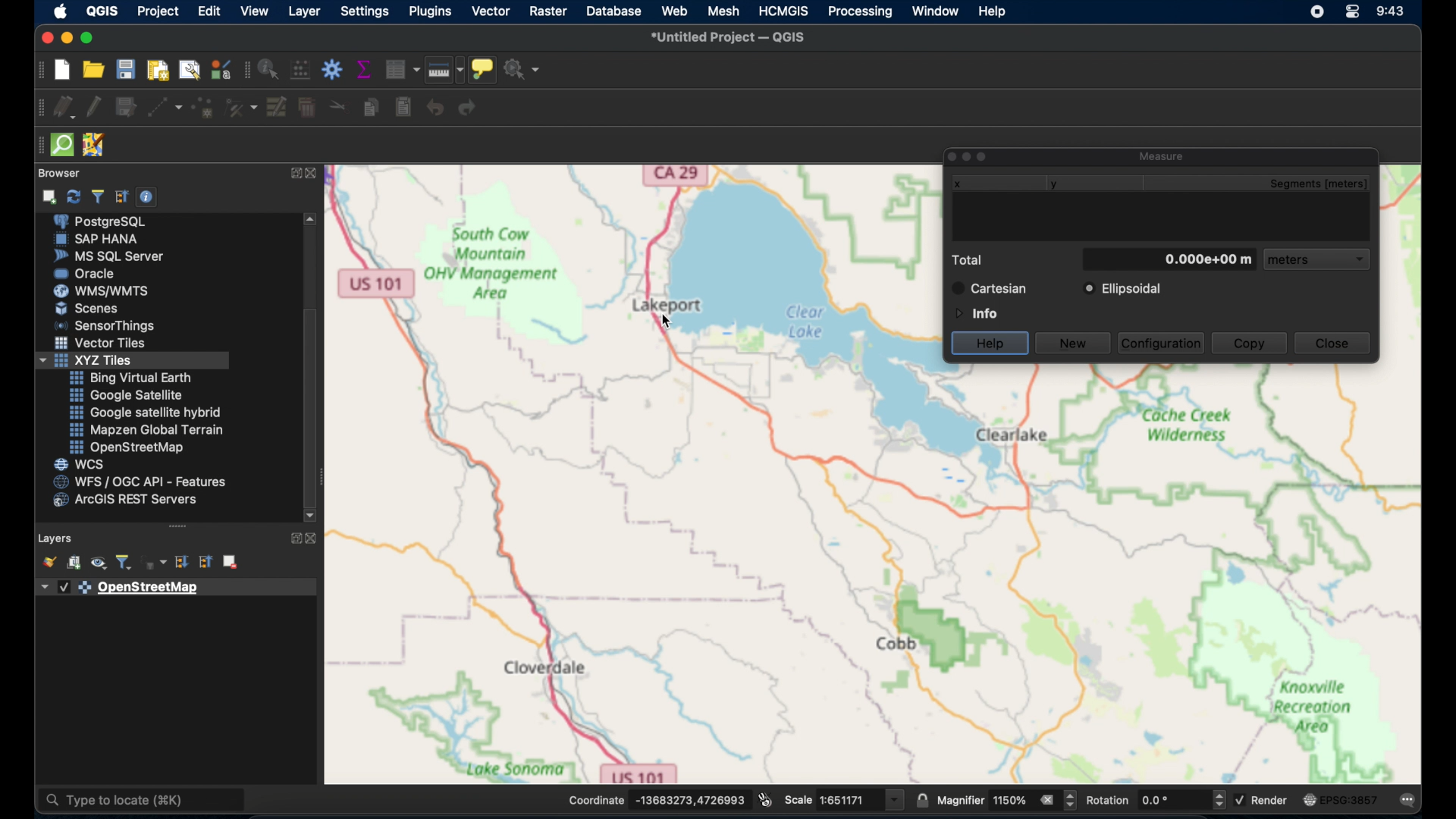 The height and width of the screenshot is (819, 1456). Describe the element at coordinates (1355, 13) in the screenshot. I see `control center` at that location.